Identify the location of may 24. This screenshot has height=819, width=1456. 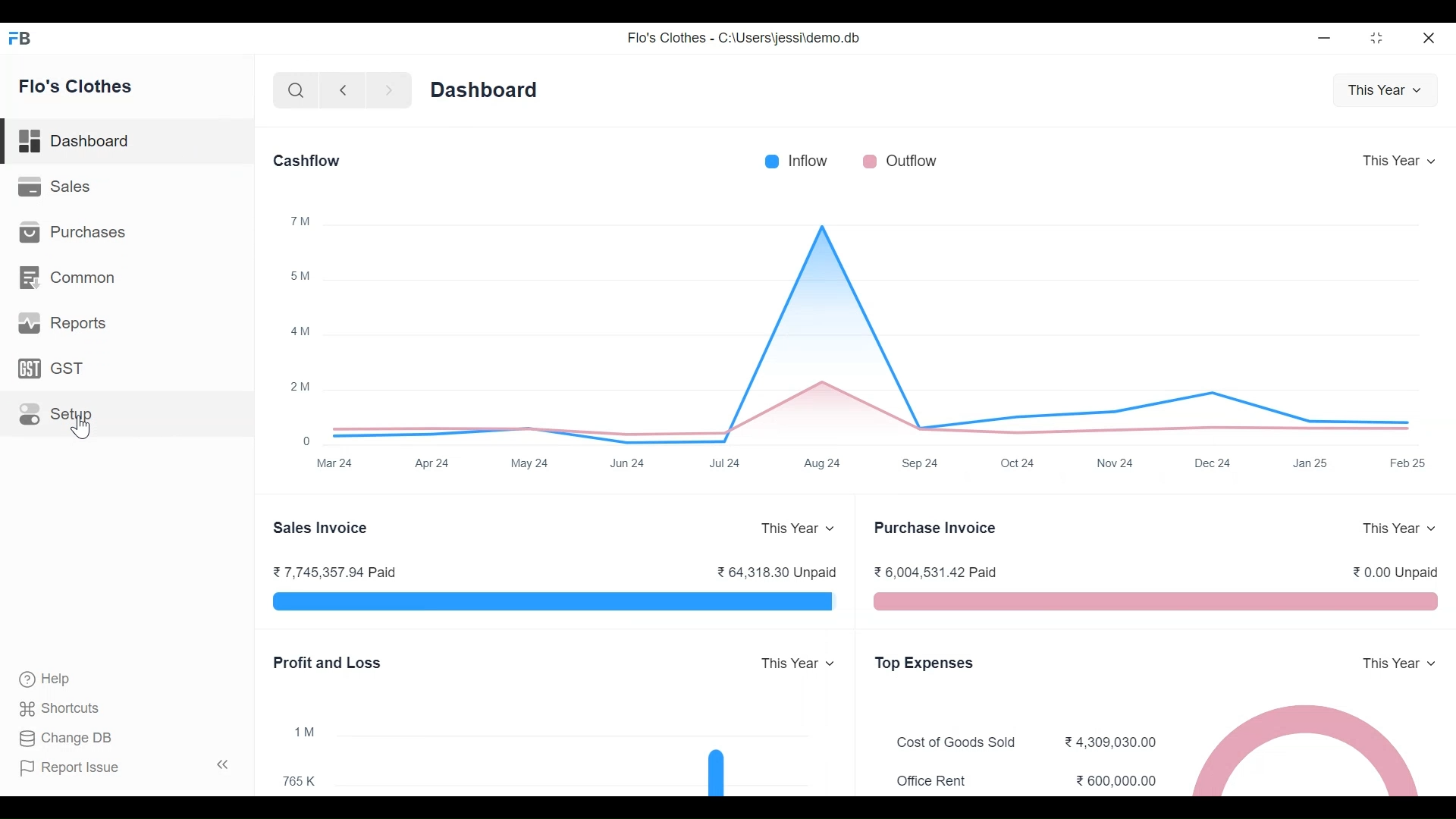
(531, 463).